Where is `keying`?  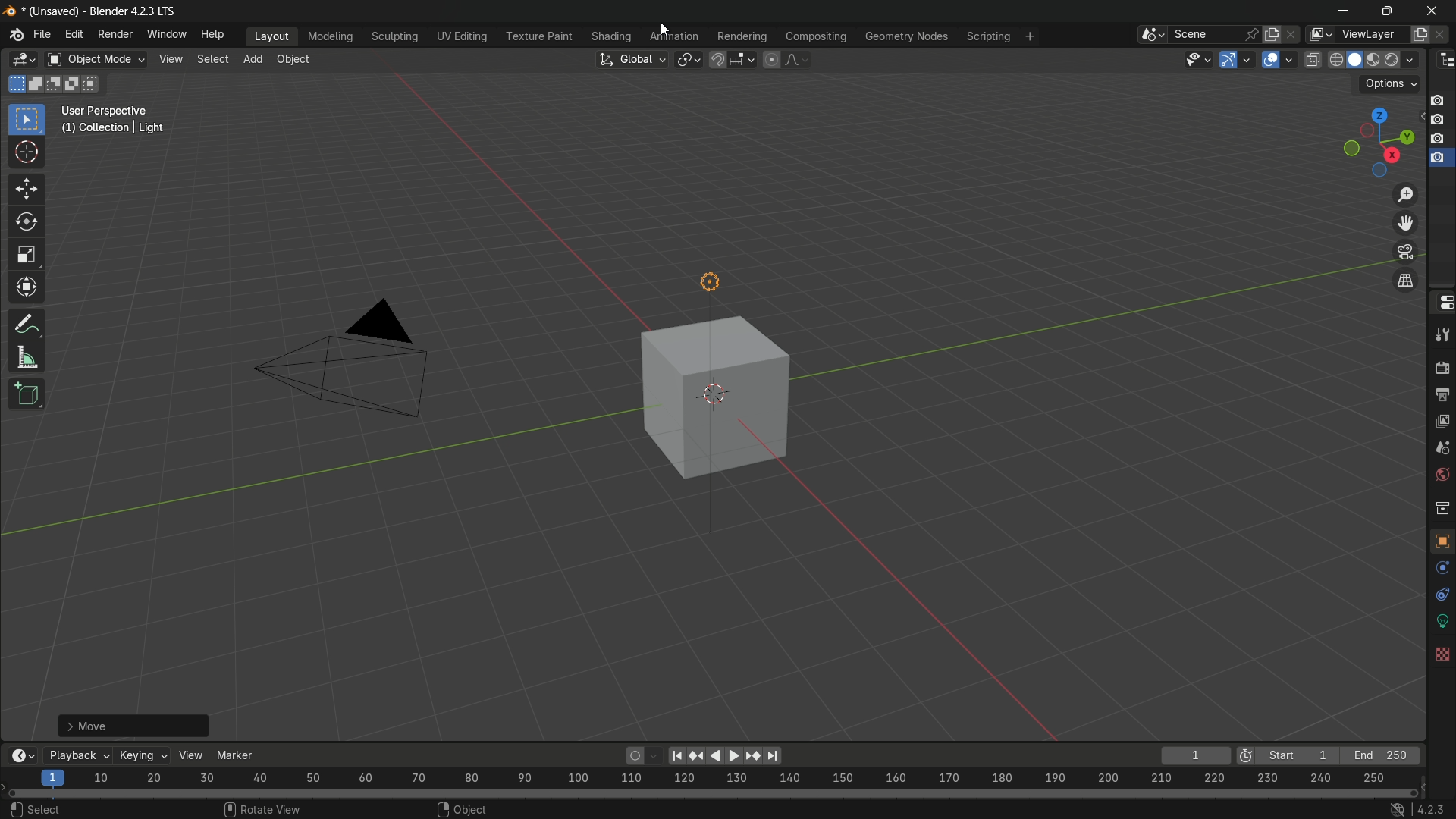
keying is located at coordinates (142, 757).